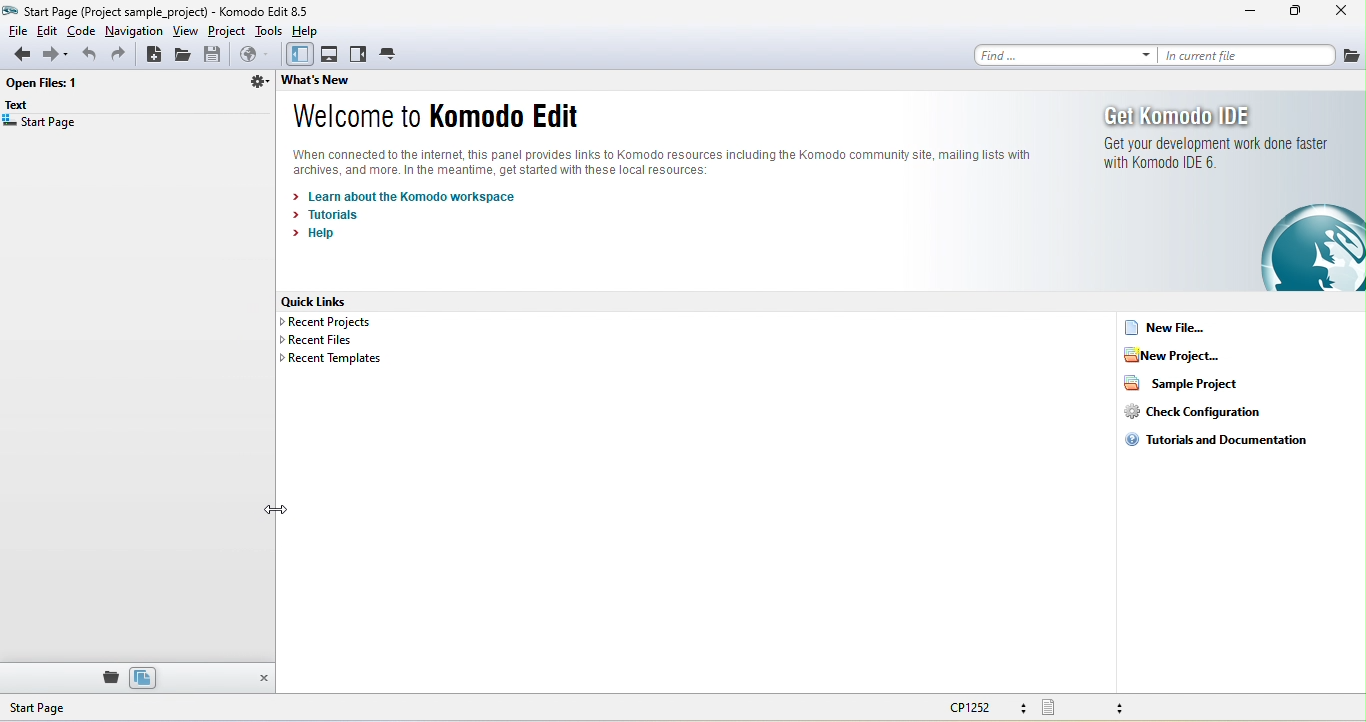 The width and height of the screenshot is (1366, 722). What do you see at coordinates (359, 55) in the screenshot?
I see `right pane` at bounding box center [359, 55].